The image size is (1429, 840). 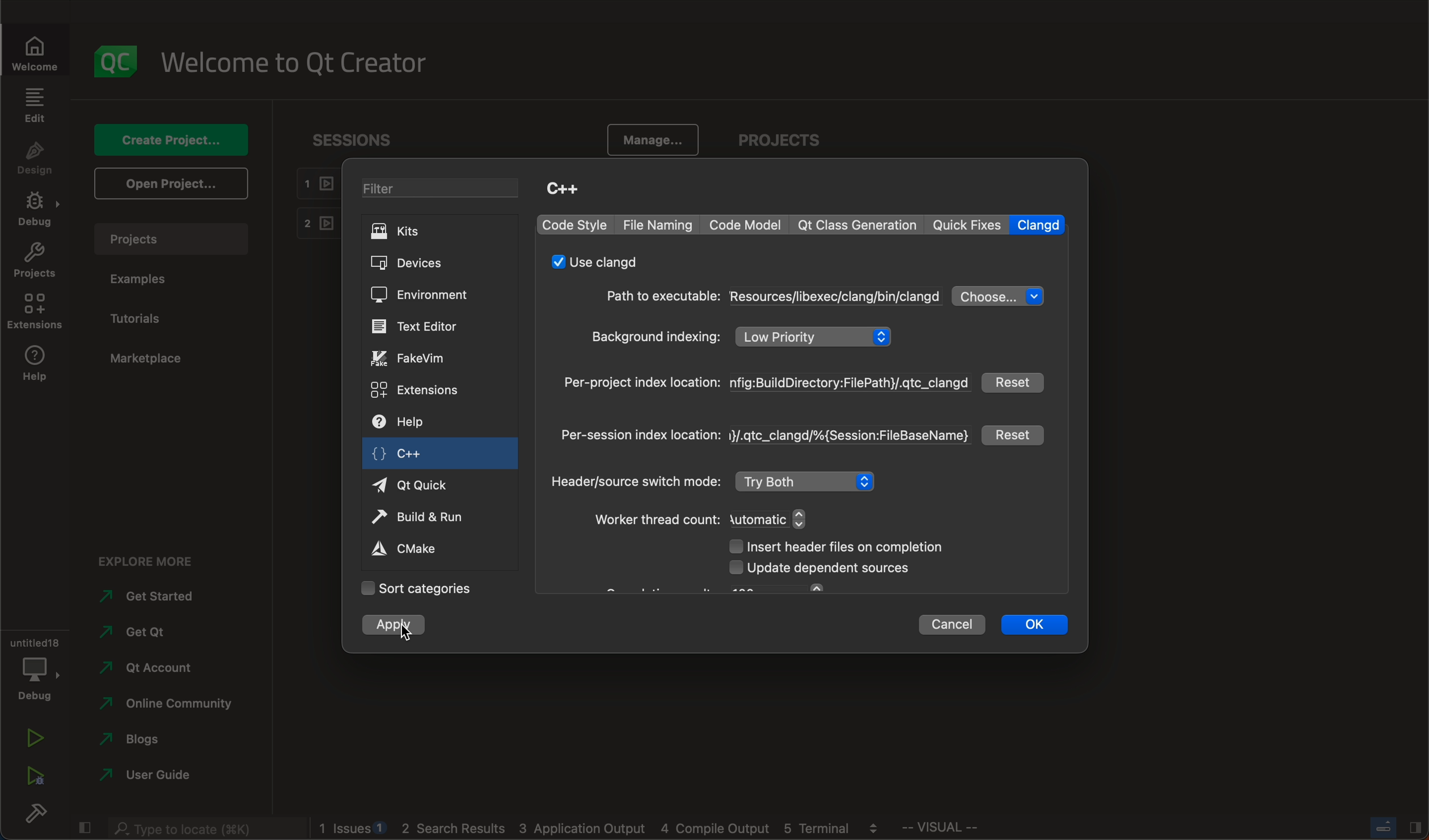 I want to click on C++, so click(x=568, y=191).